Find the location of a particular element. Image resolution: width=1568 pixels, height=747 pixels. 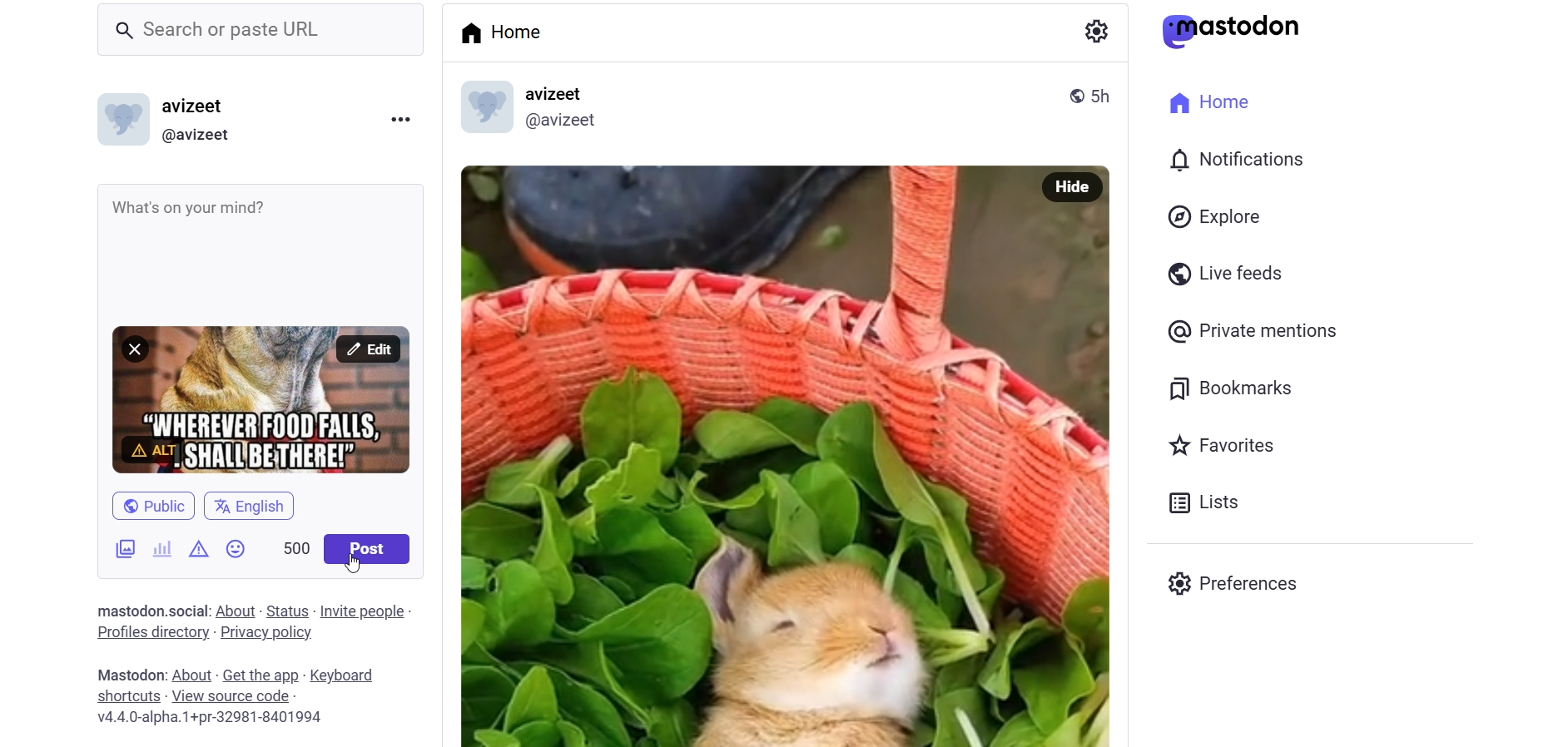

social is located at coordinates (188, 611).